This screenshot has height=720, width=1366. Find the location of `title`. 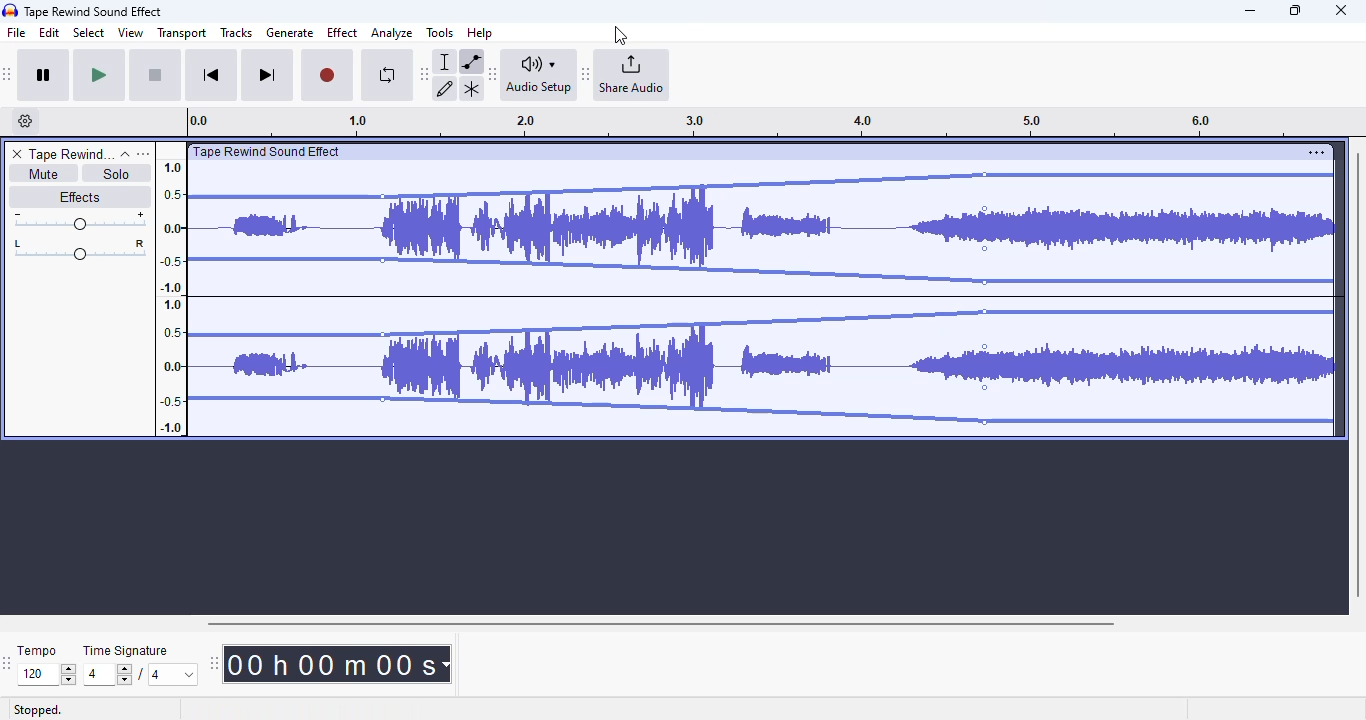

title is located at coordinates (94, 11).